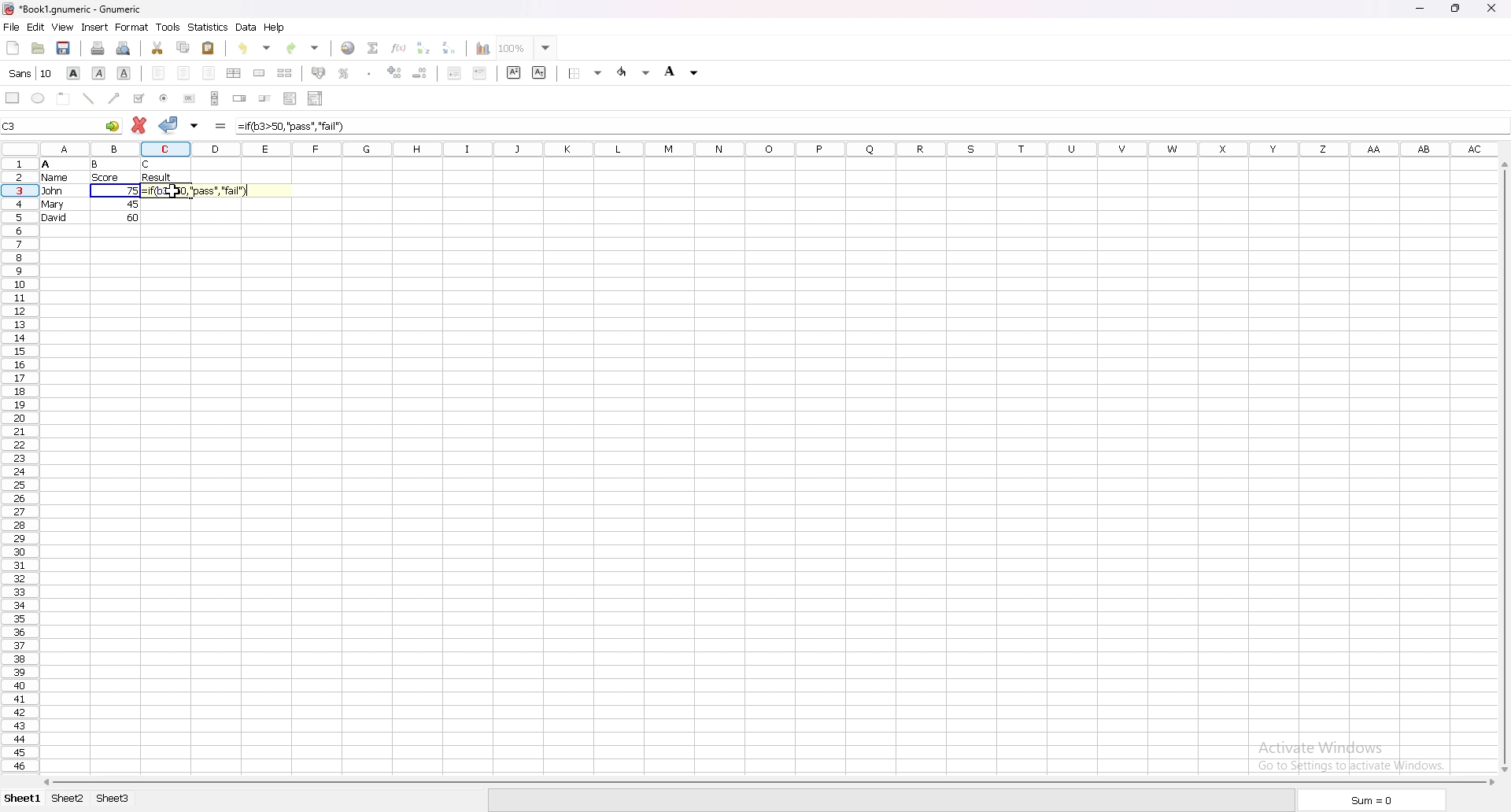 Image resolution: width=1511 pixels, height=812 pixels. I want to click on button, so click(190, 98).